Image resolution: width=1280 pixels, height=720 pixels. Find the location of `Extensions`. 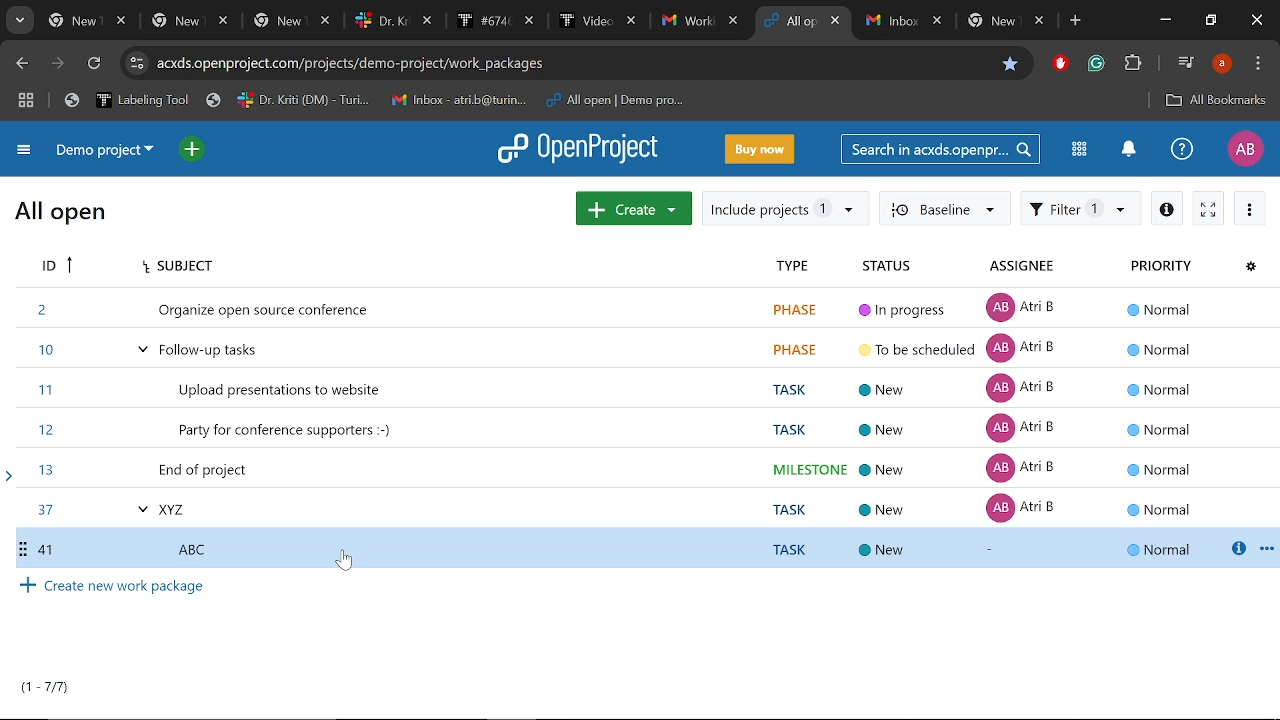

Extensions is located at coordinates (1132, 64).